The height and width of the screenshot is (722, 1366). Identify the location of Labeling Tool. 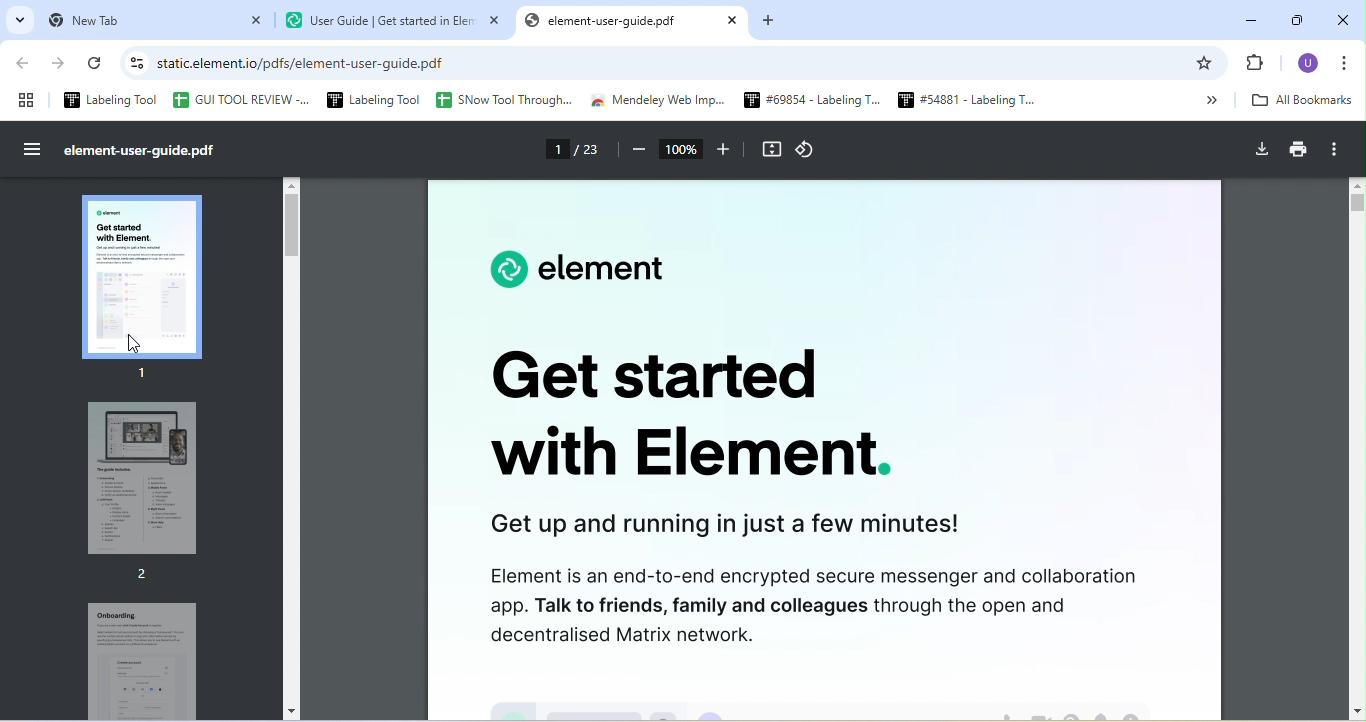
(112, 100).